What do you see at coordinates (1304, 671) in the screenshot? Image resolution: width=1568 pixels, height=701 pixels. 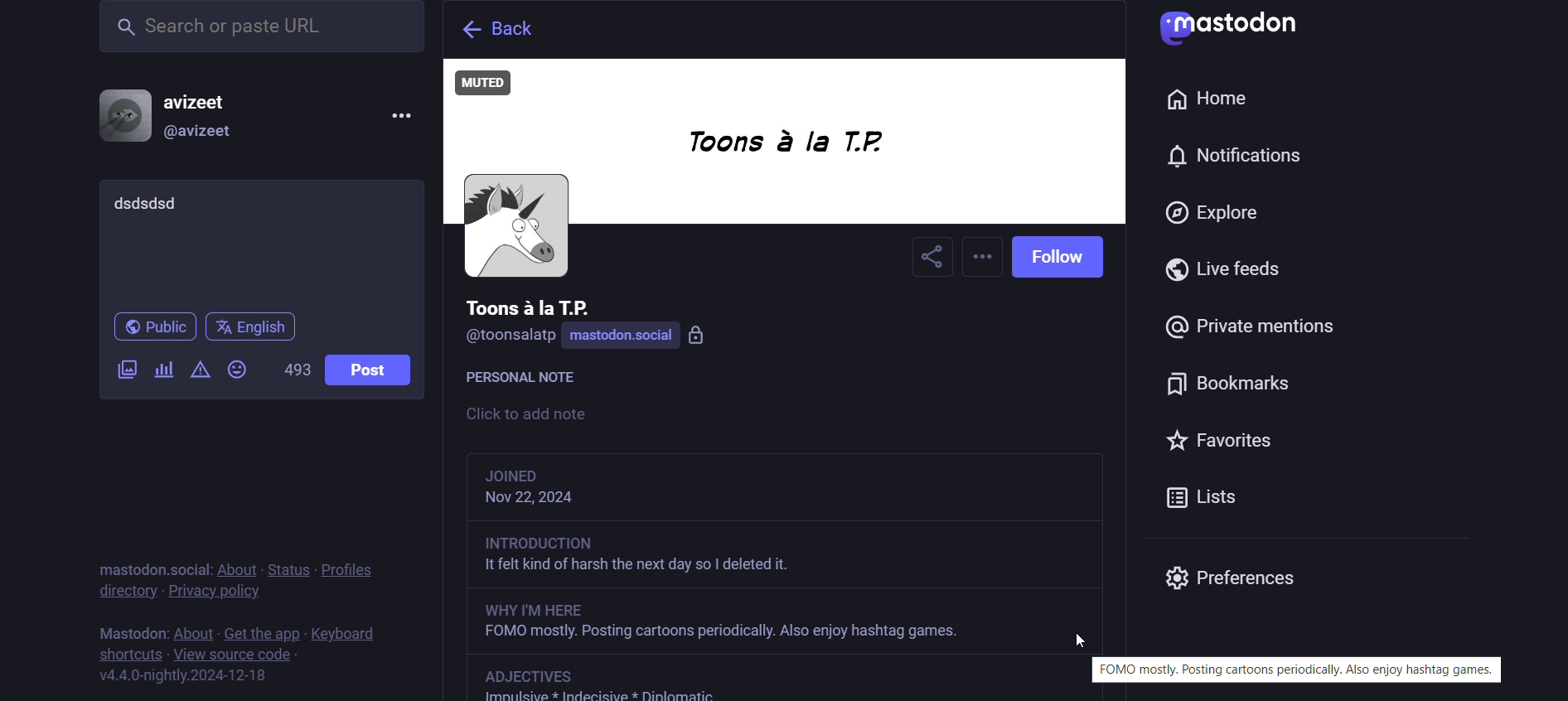 I see `text` at bounding box center [1304, 671].